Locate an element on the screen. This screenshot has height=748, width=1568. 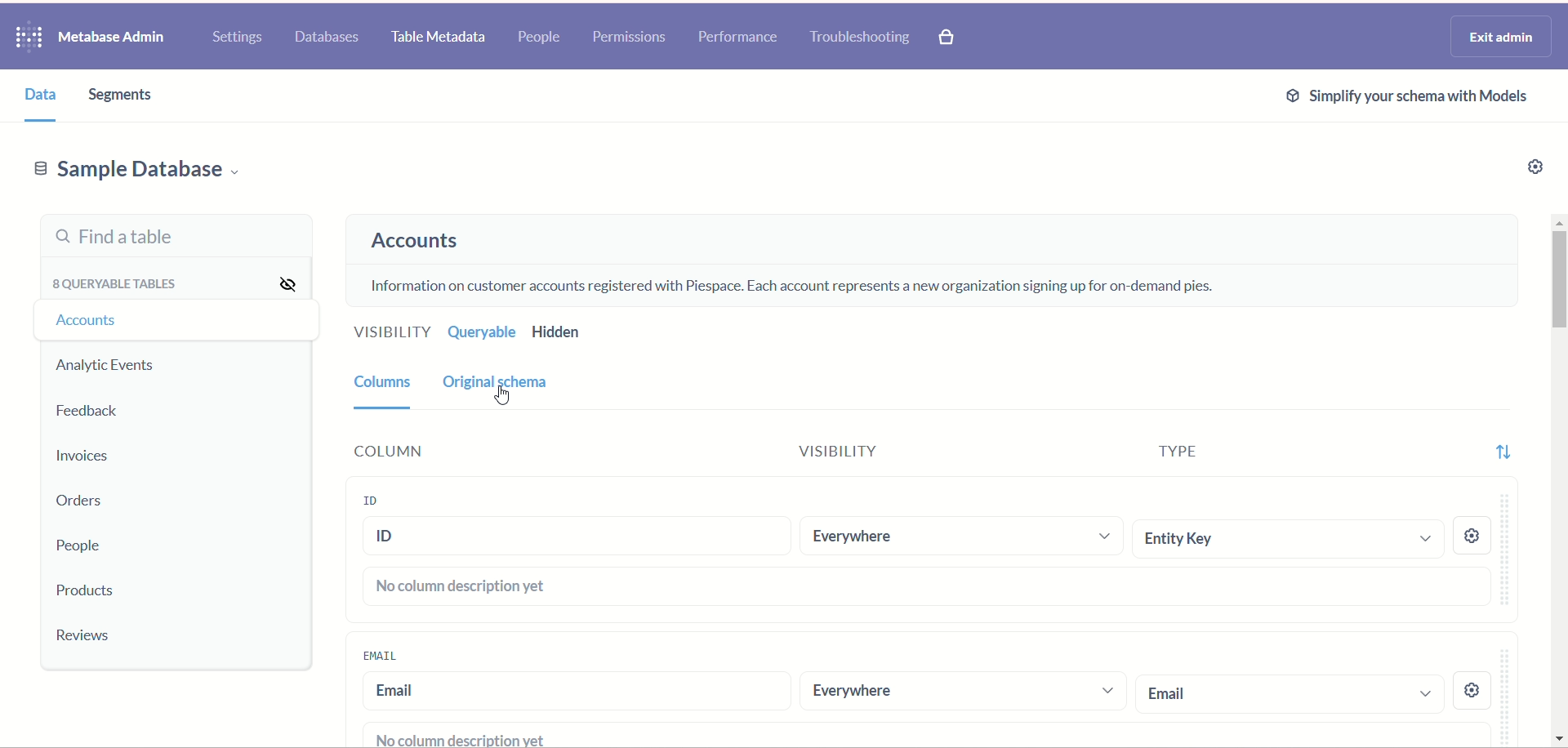
type is located at coordinates (1182, 453).